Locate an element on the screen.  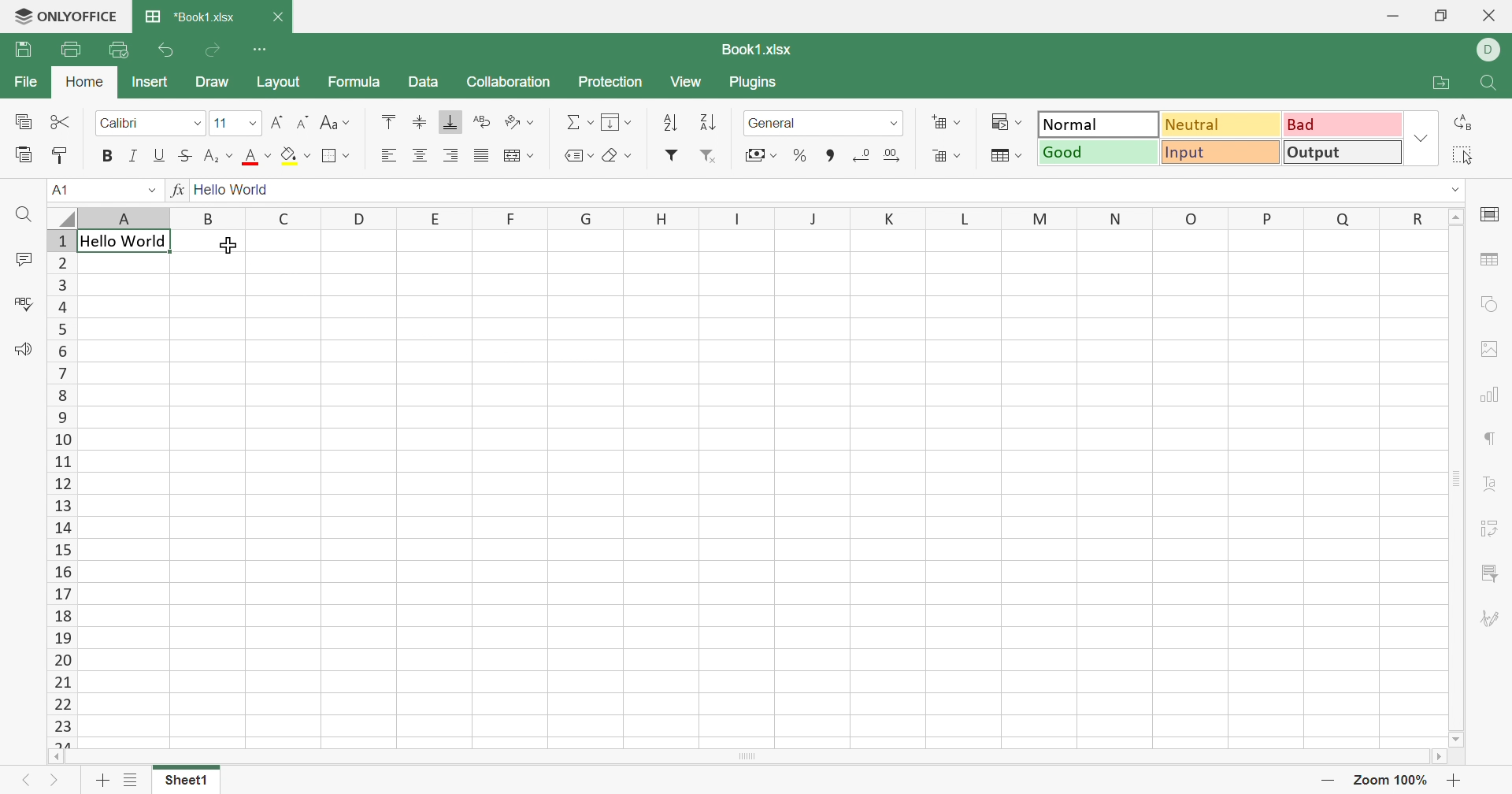
Sort descending is located at coordinates (713, 123).